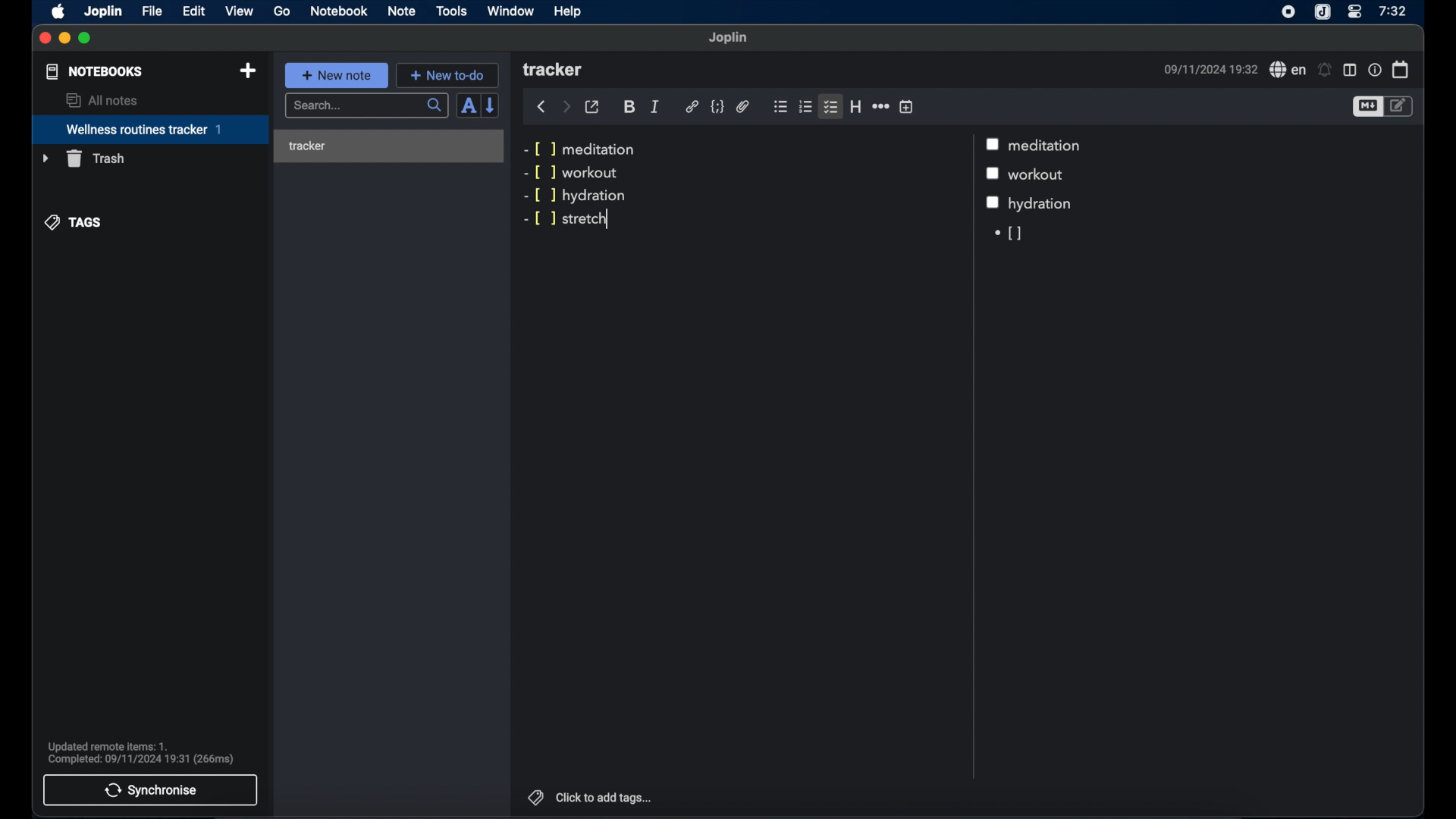  Describe the element at coordinates (491, 105) in the screenshot. I see `reverse sort order` at that location.